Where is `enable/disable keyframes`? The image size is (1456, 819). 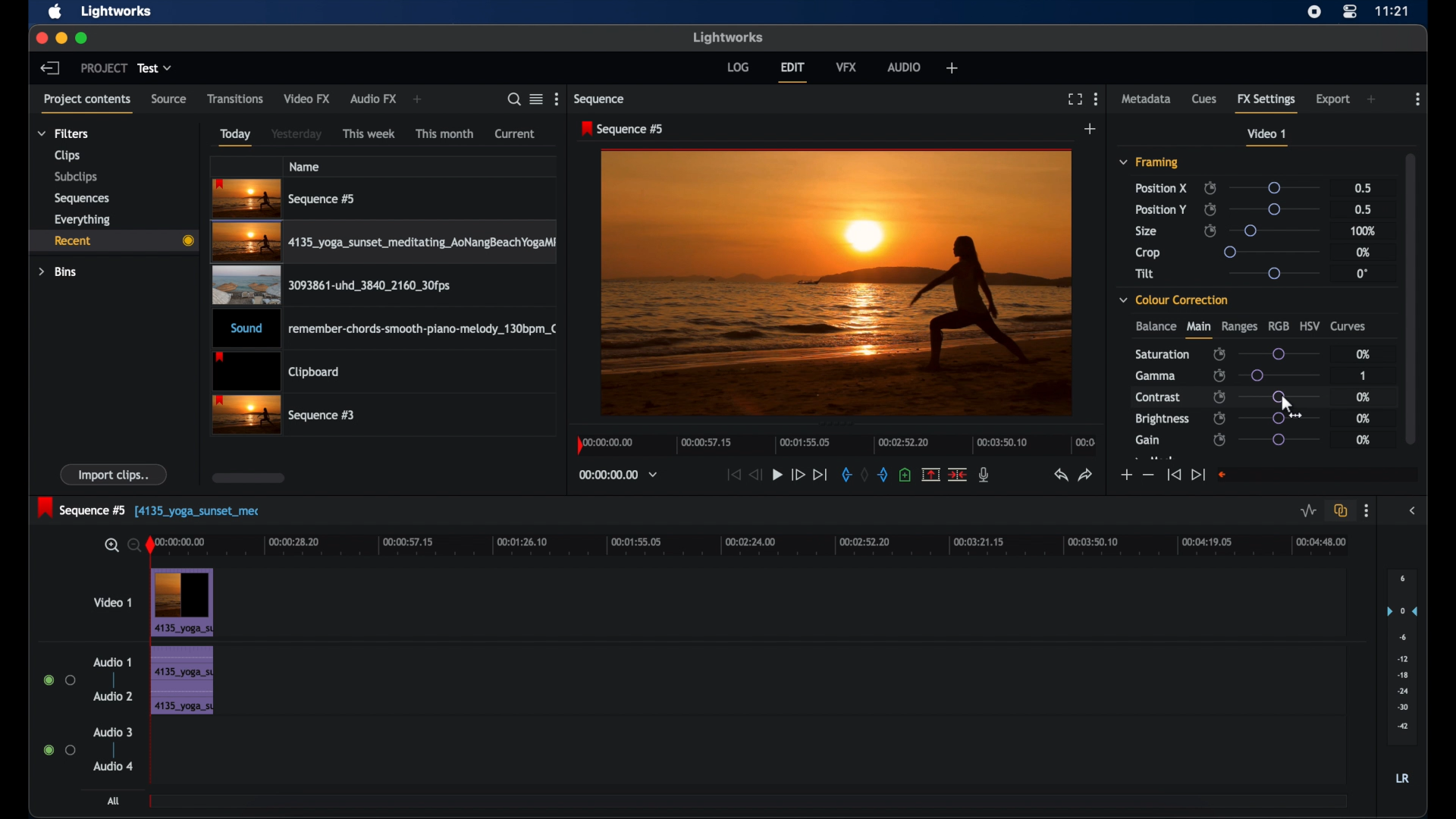 enable/disable keyframes is located at coordinates (1219, 441).